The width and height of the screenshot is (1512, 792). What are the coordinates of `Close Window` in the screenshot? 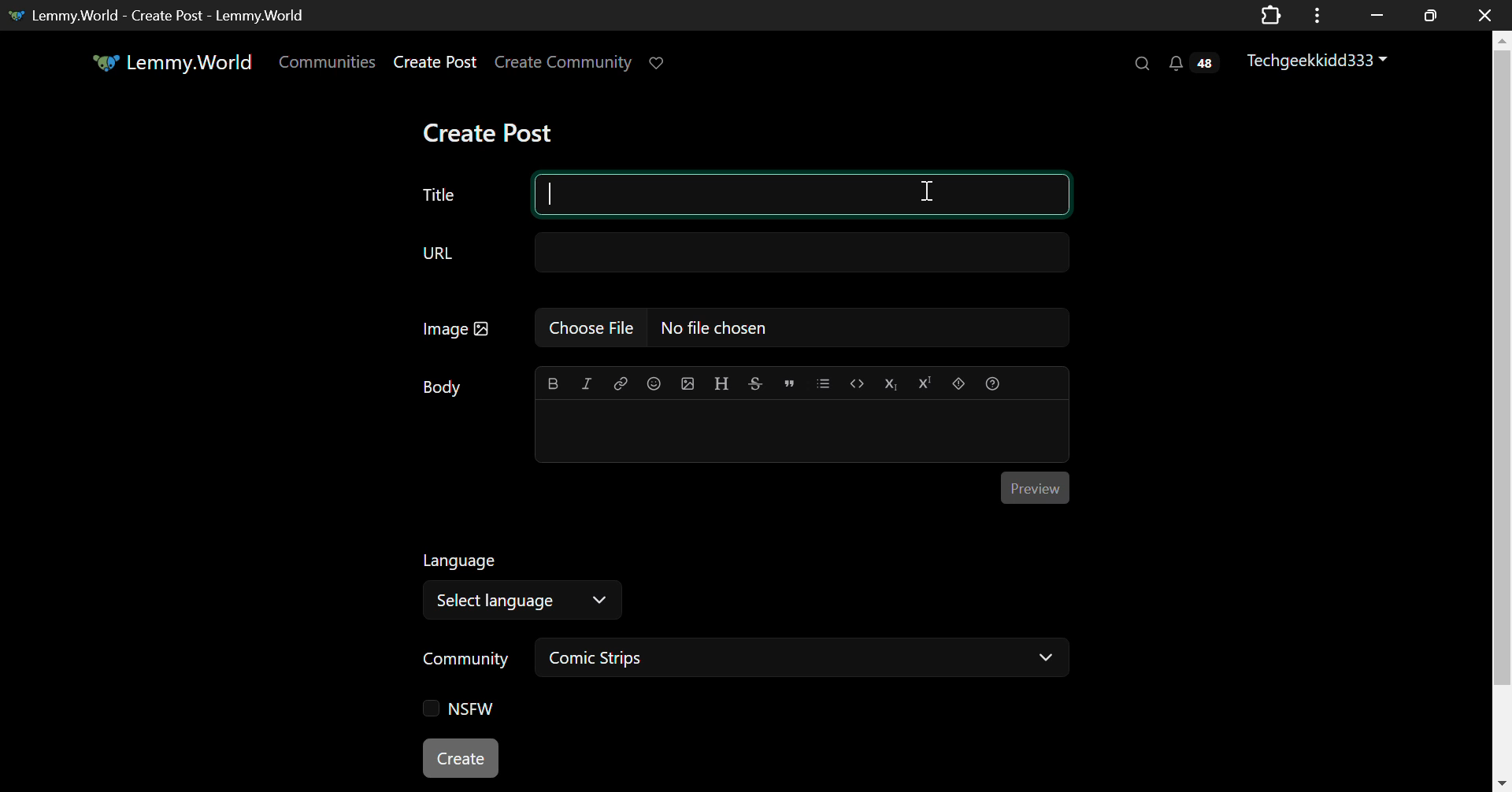 It's located at (1480, 13).